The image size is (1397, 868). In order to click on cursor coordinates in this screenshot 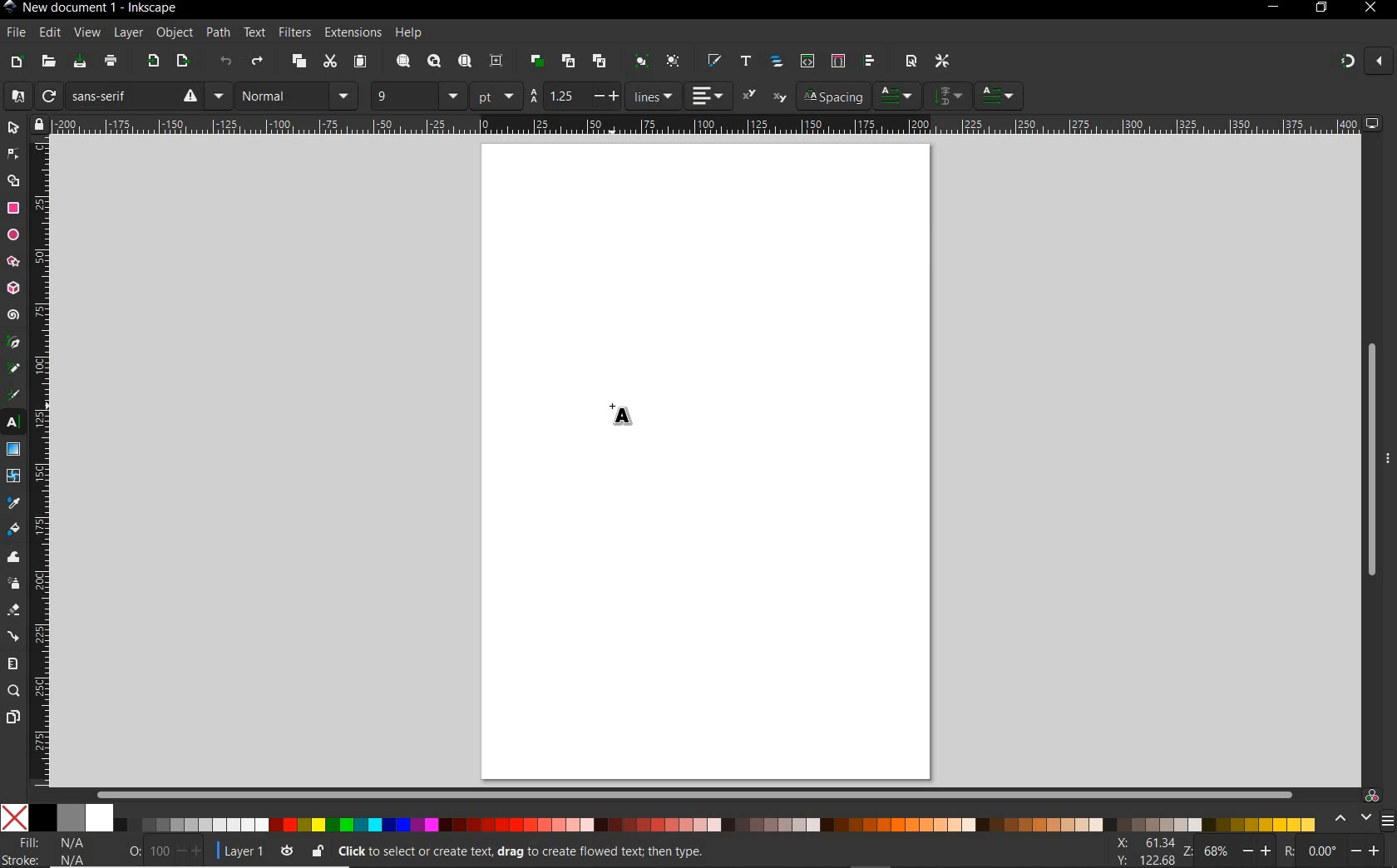, I will do `click(1143, 851)`.